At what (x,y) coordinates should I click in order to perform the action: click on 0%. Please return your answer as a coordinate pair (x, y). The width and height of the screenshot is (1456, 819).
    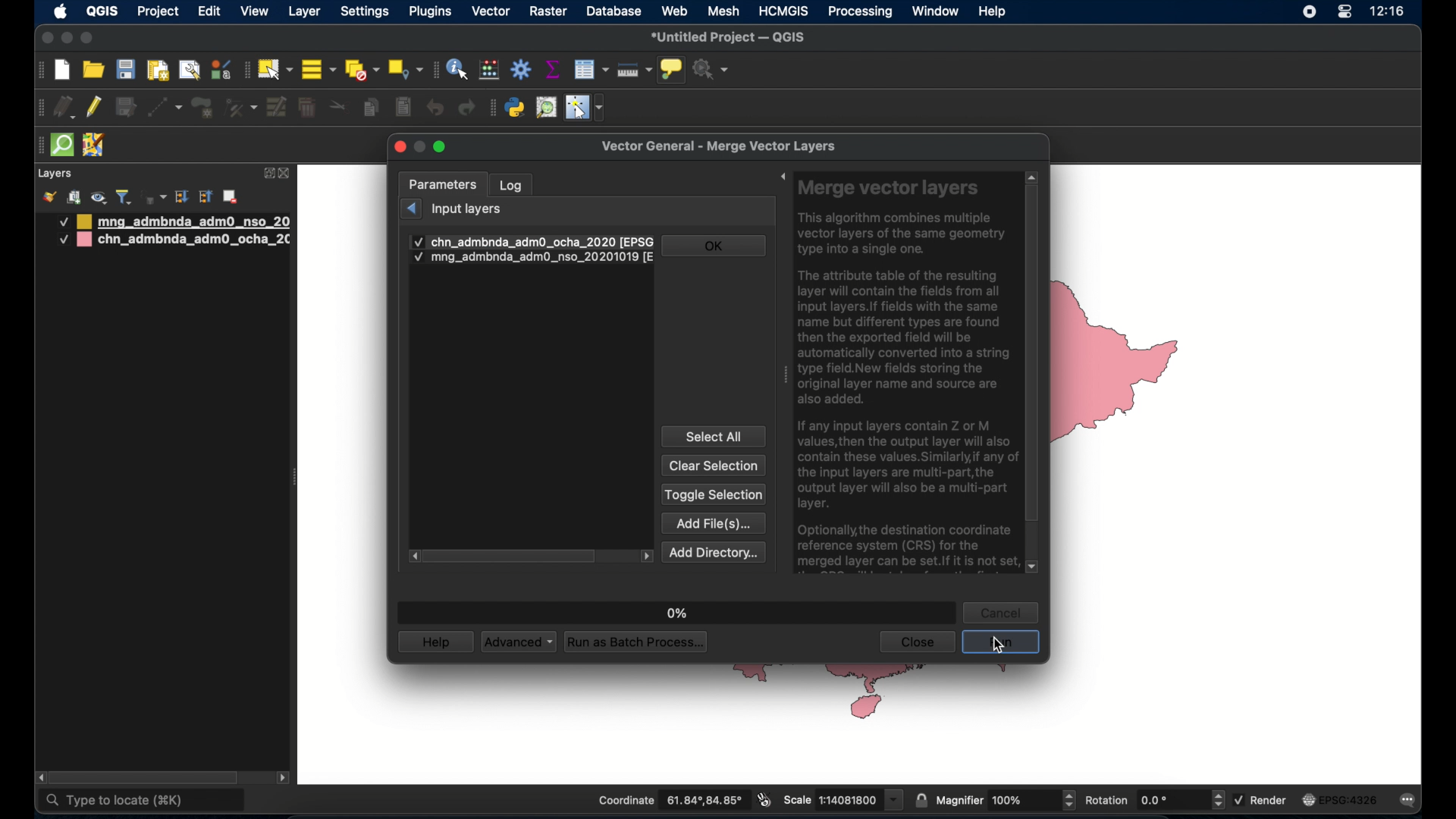
    Looking at the image, I should click on (674, 609).